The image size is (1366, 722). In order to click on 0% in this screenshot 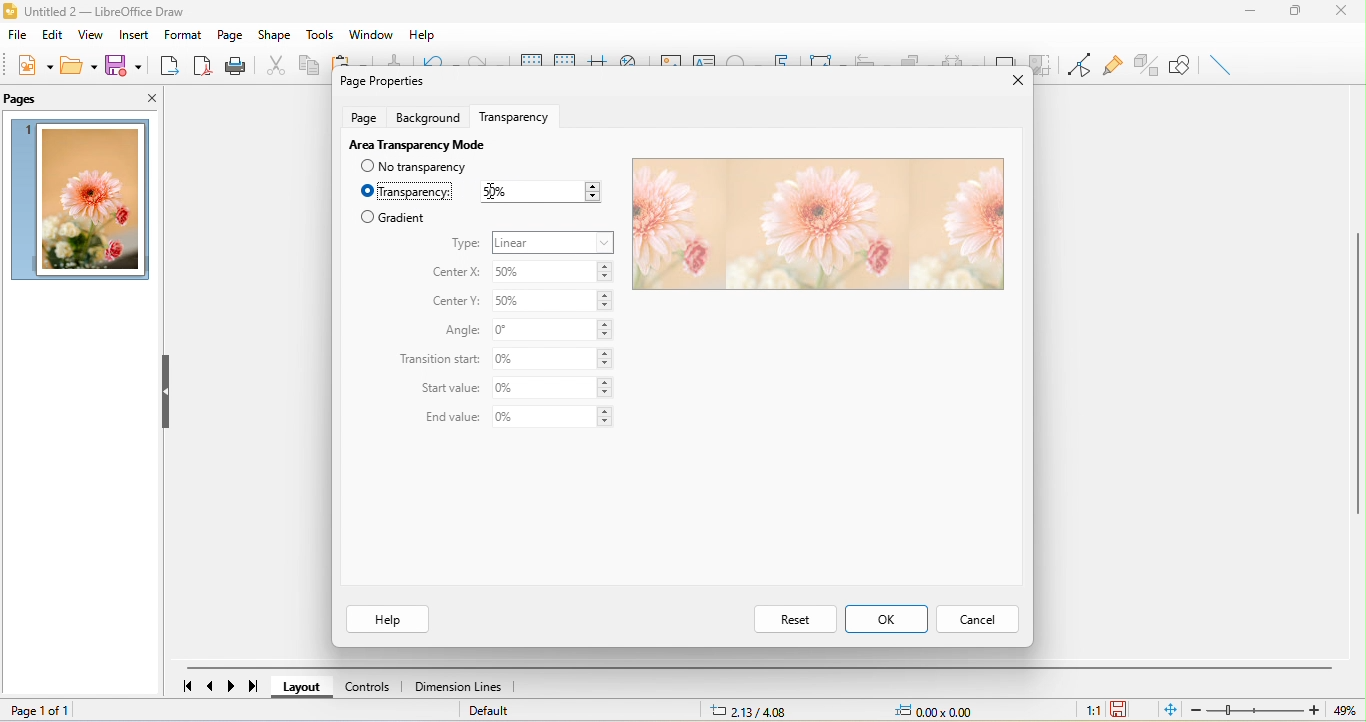, I will do `click(555, 359)`.